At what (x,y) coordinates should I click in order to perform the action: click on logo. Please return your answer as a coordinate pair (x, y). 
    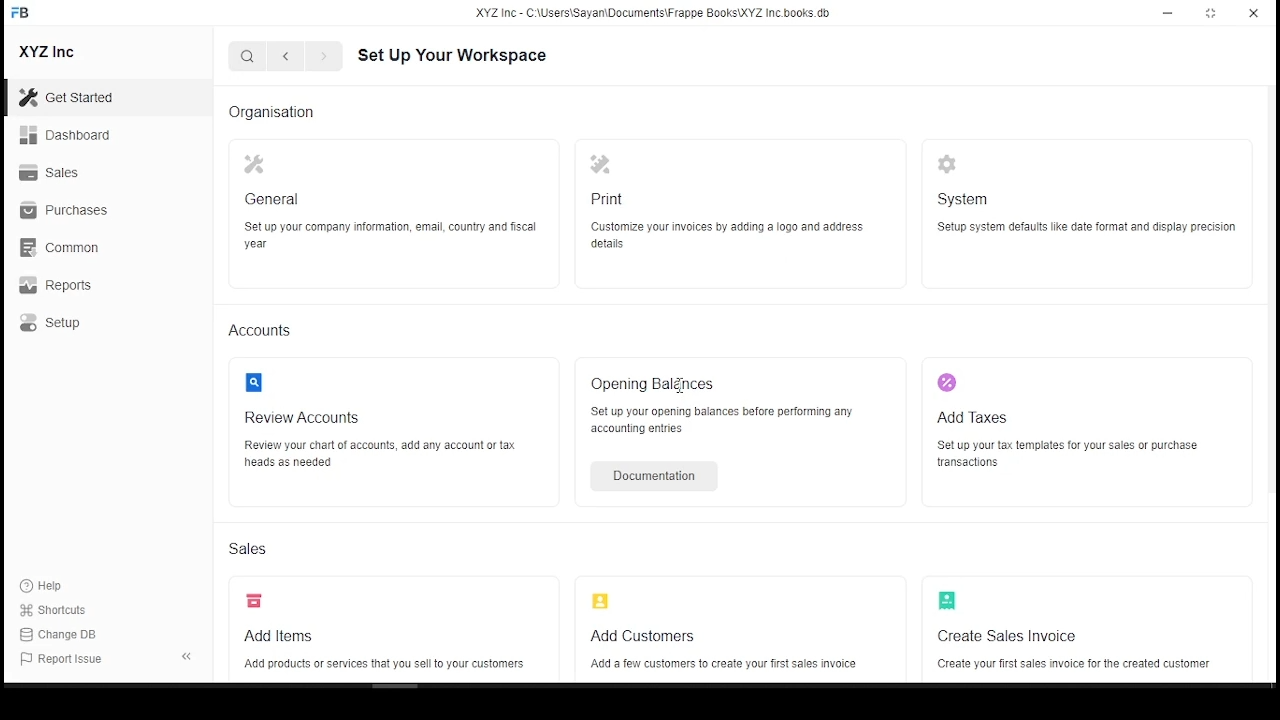
    Looking at the image, I should click on (604, 167).